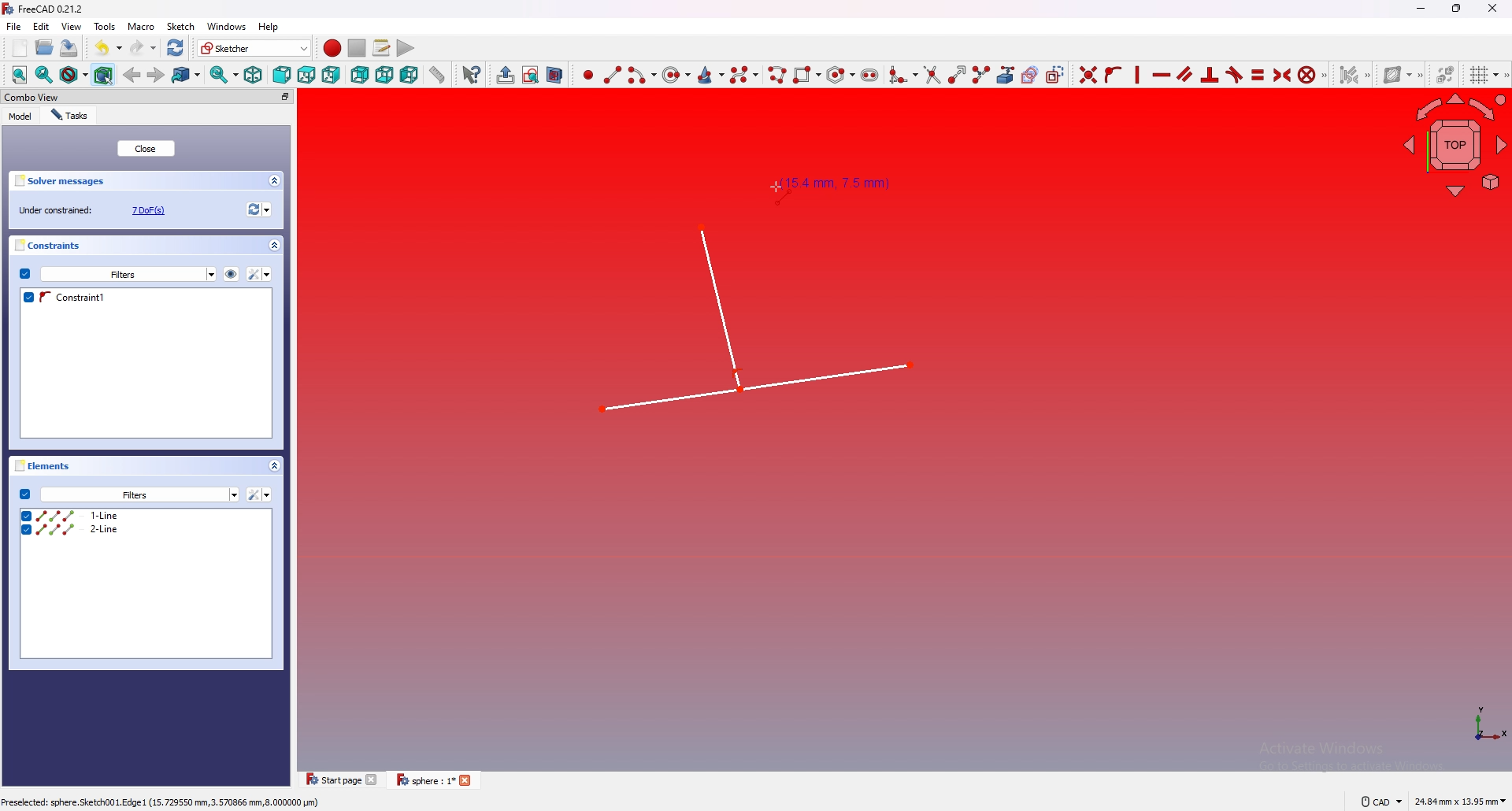  Describe the element at coordinates (142, 27) in the screenshot. I see `Marco` at that location.